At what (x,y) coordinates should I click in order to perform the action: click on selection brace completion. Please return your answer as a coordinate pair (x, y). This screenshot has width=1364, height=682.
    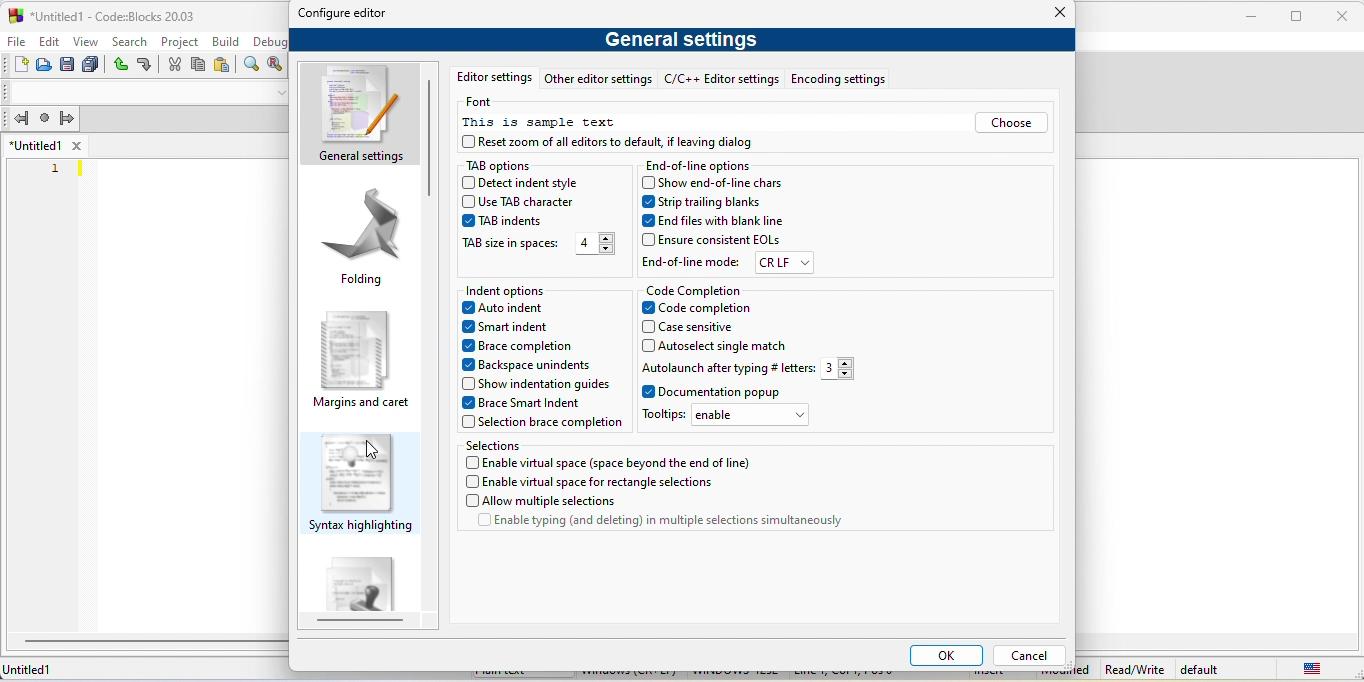
    Looking at the image, I should click on (542, 422).